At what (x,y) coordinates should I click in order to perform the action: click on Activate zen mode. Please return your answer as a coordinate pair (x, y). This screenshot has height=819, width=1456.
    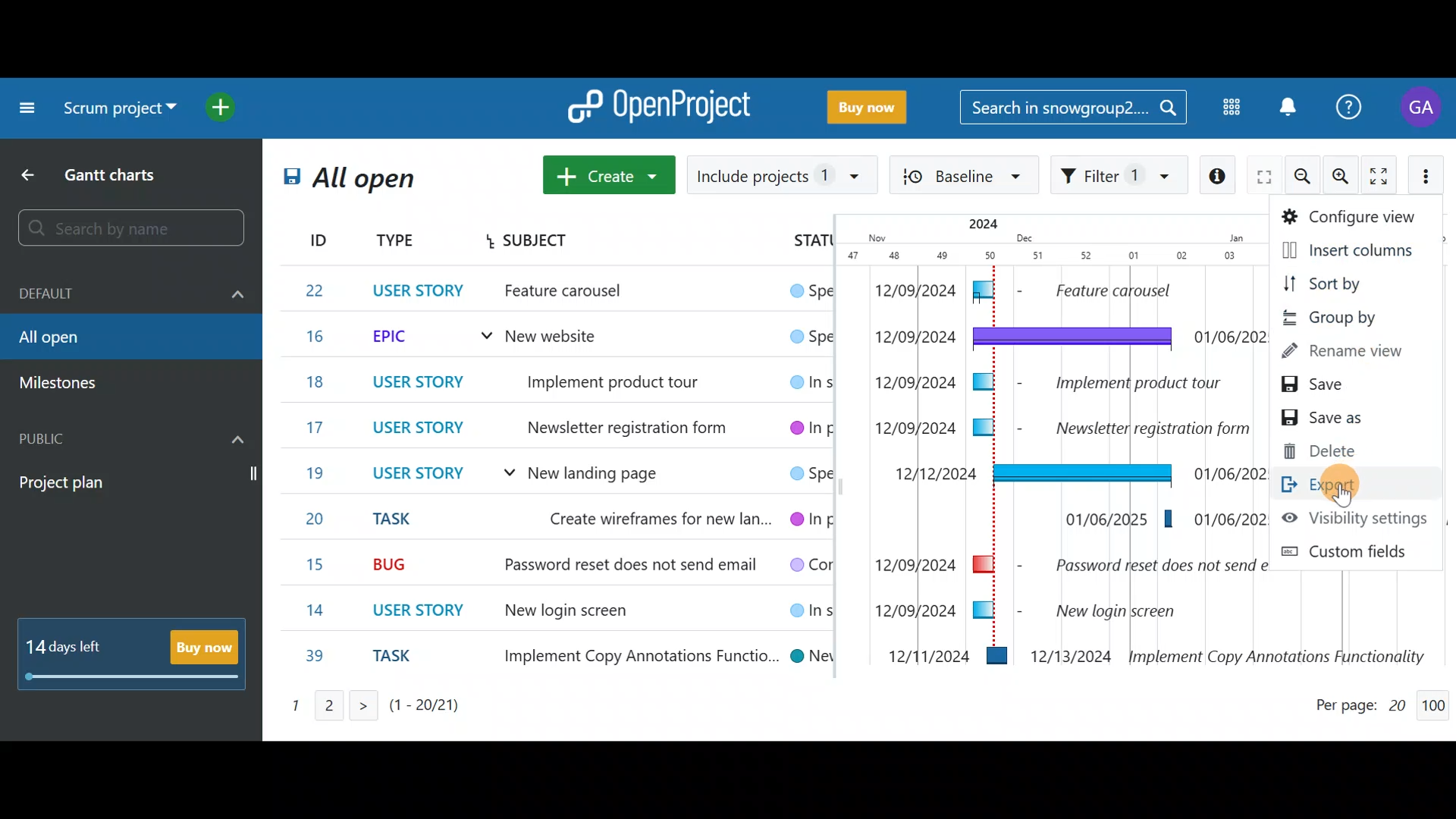
    Looking at the image, I should click on (1379, 176).